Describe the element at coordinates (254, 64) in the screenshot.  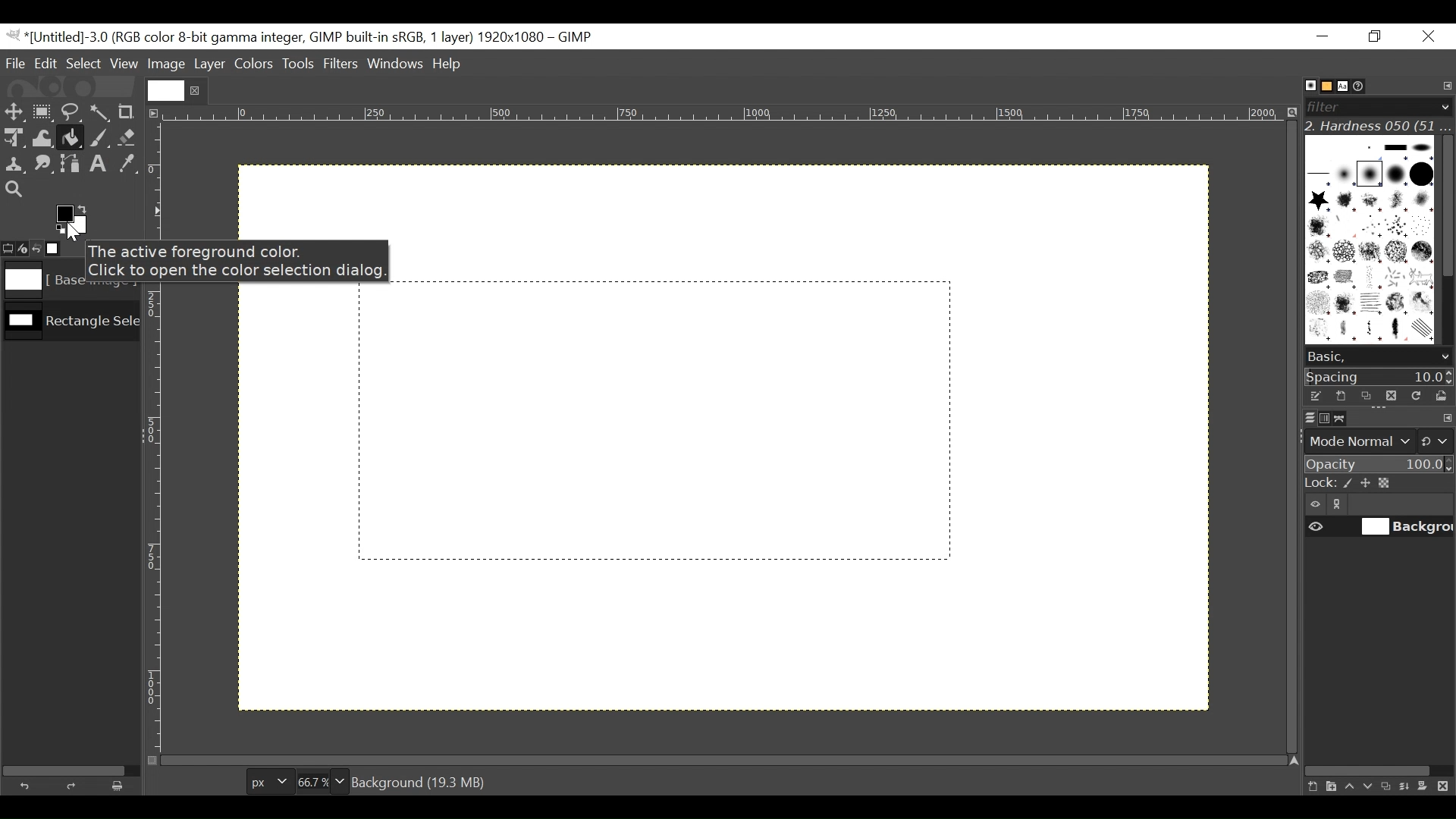
I see `Colors` at that location.